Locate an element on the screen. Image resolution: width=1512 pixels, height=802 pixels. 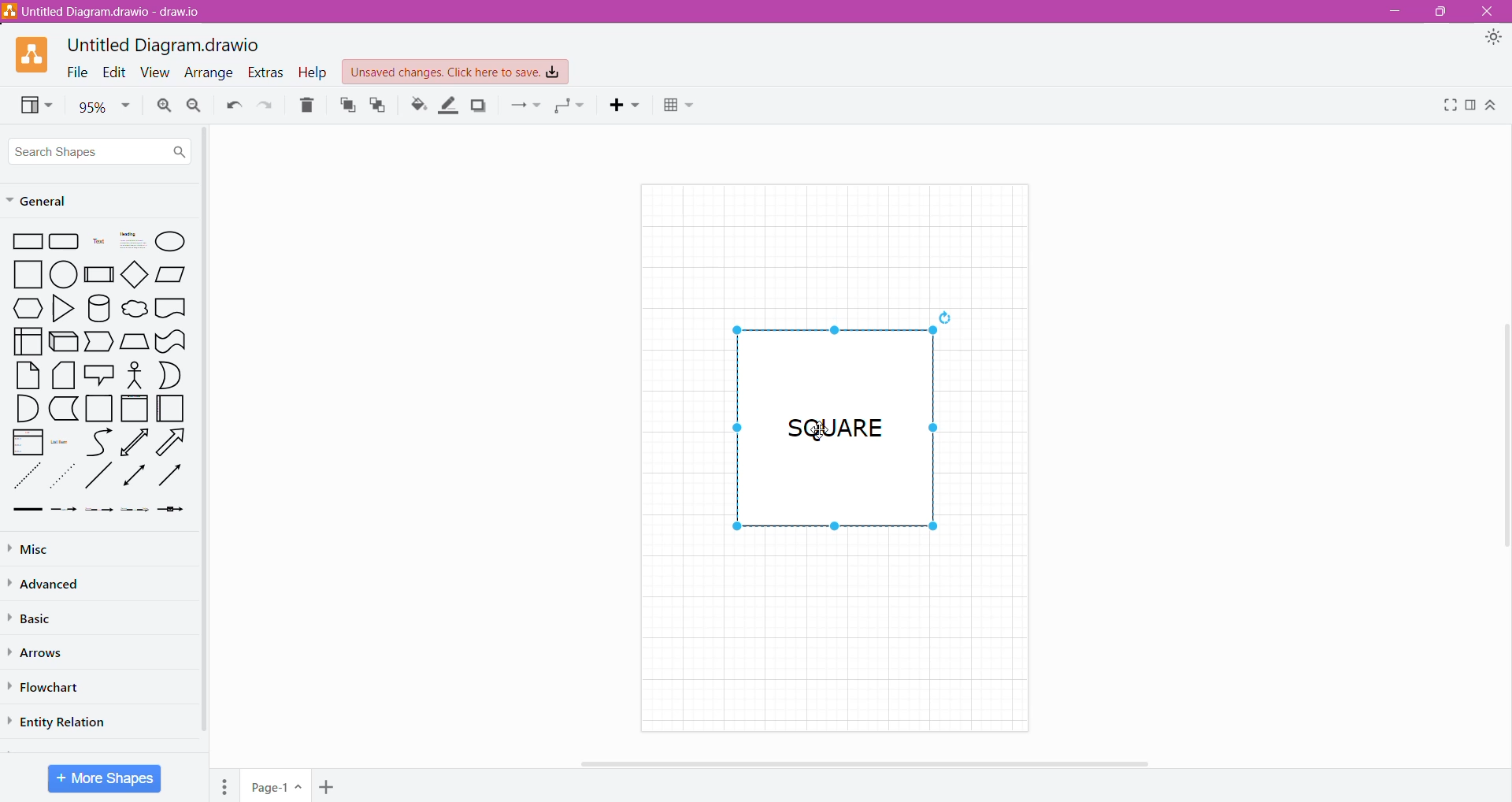
Folded Paper  is located at coordinates (170, 409).